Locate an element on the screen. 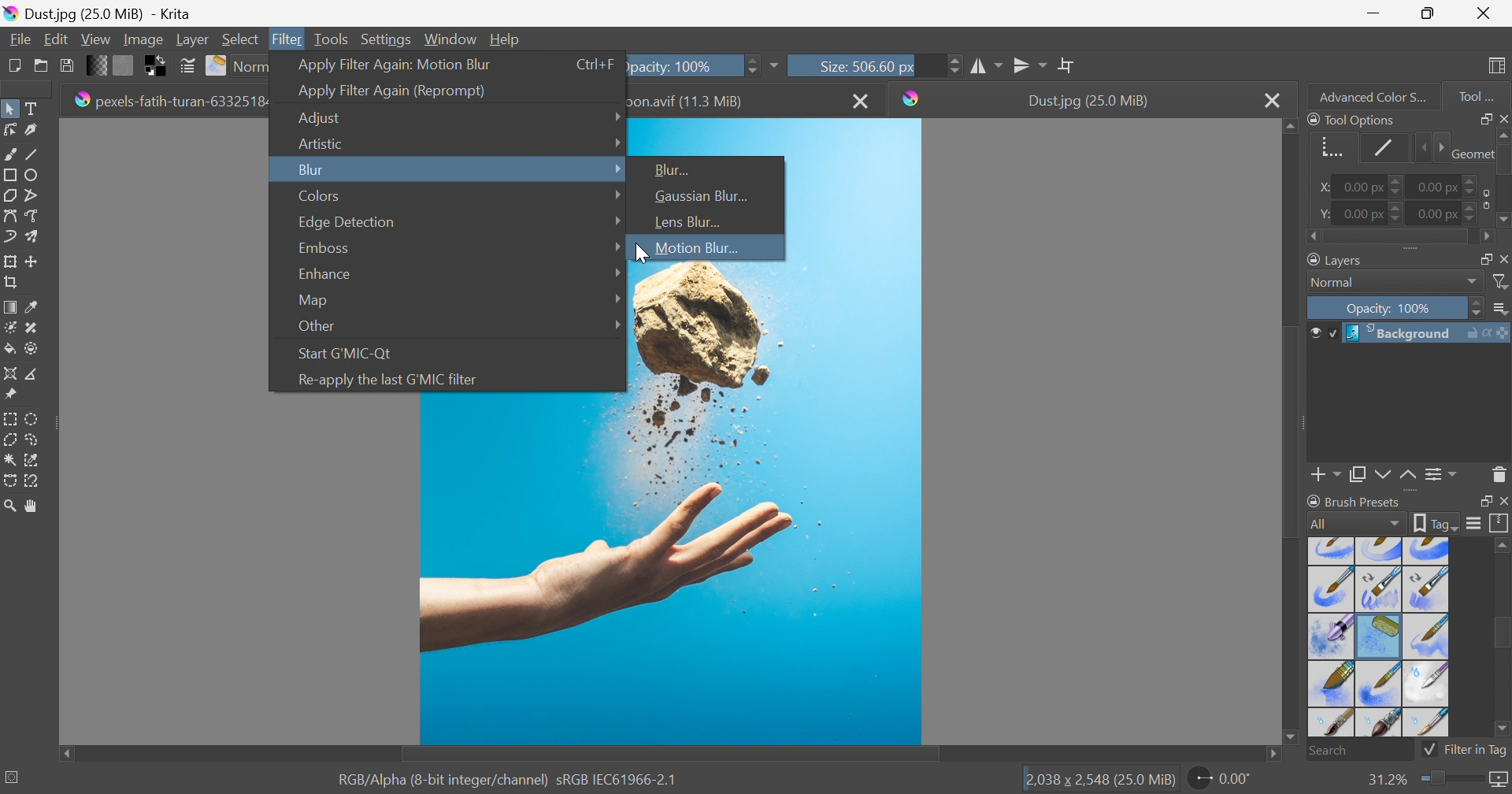 This screenshot has height=794, width=1512. Lens Blur... is located at coordinates (685, 221).